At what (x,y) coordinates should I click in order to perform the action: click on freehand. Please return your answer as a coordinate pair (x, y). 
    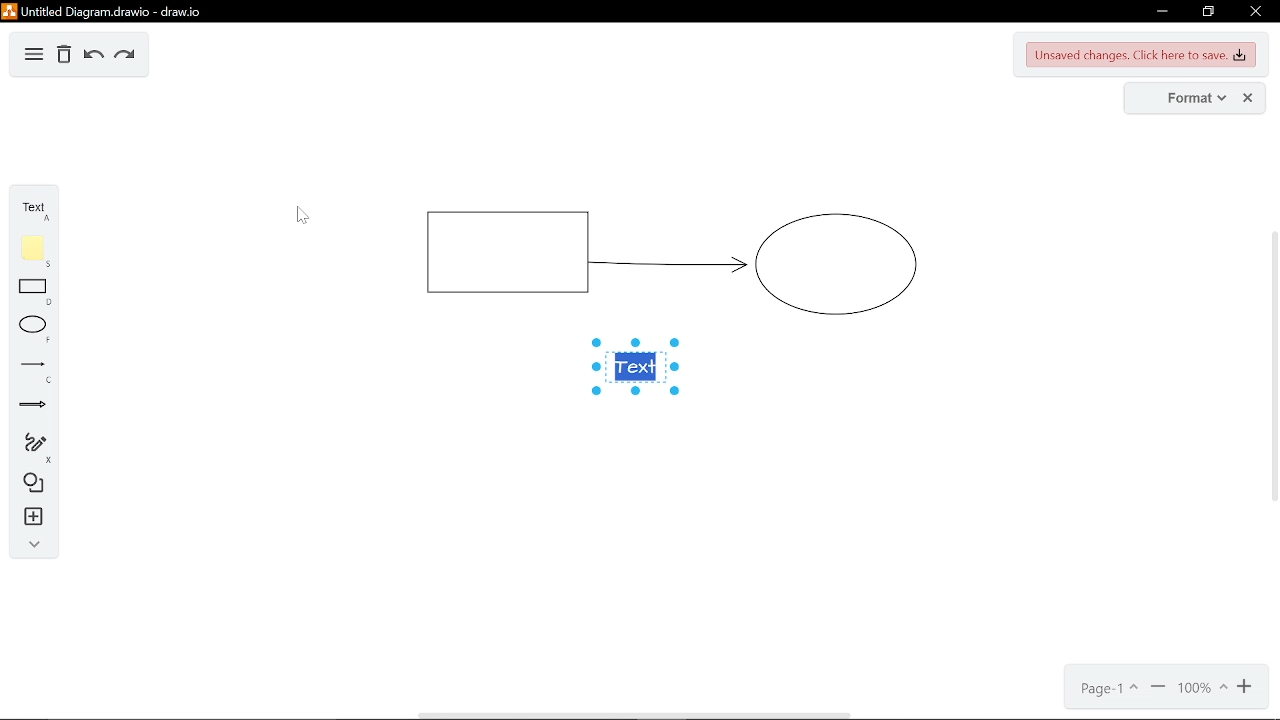
    Looking at the image, I should click on (36, 446).